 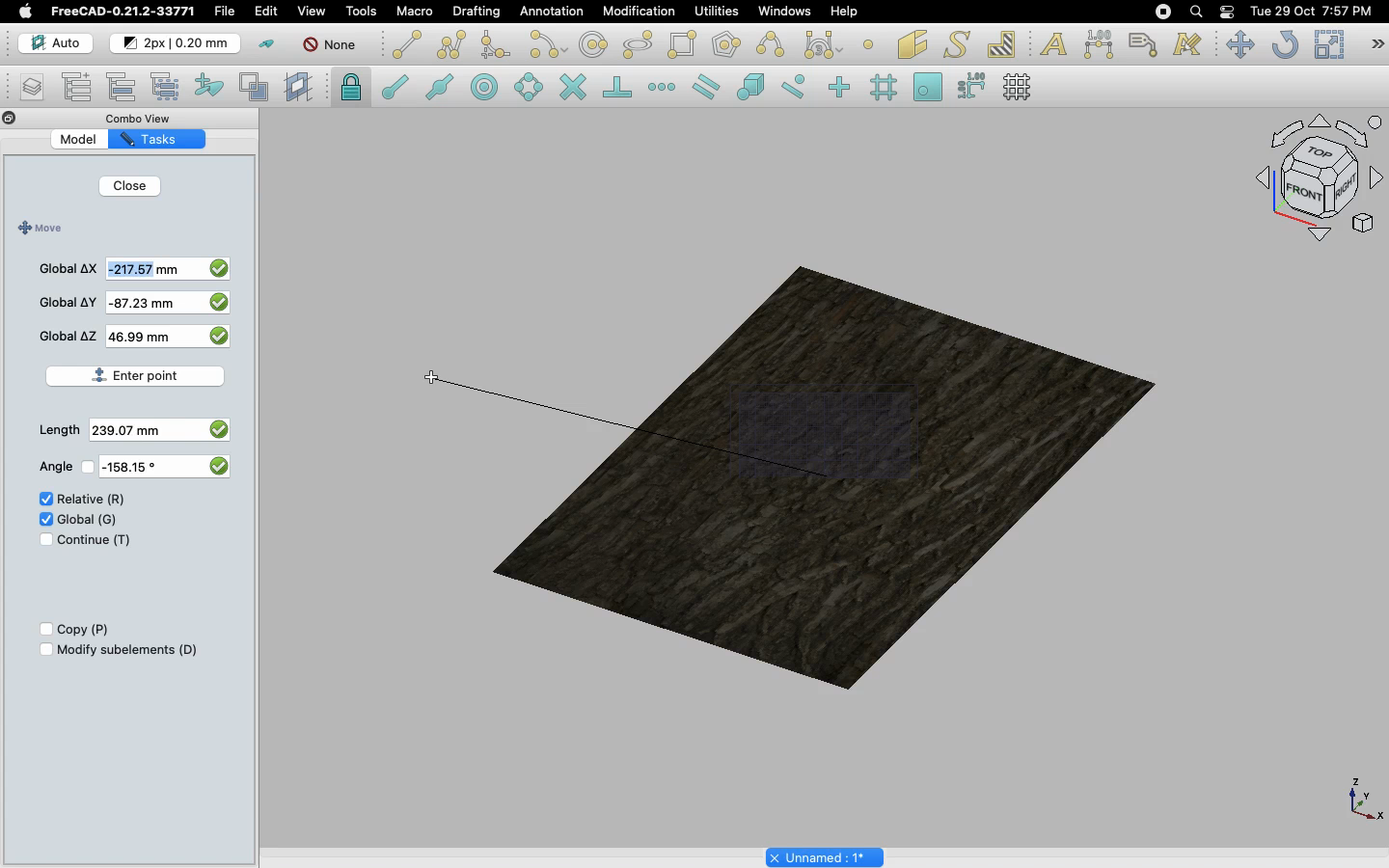 I want to click on Object selected, so click(x=815, y=469).